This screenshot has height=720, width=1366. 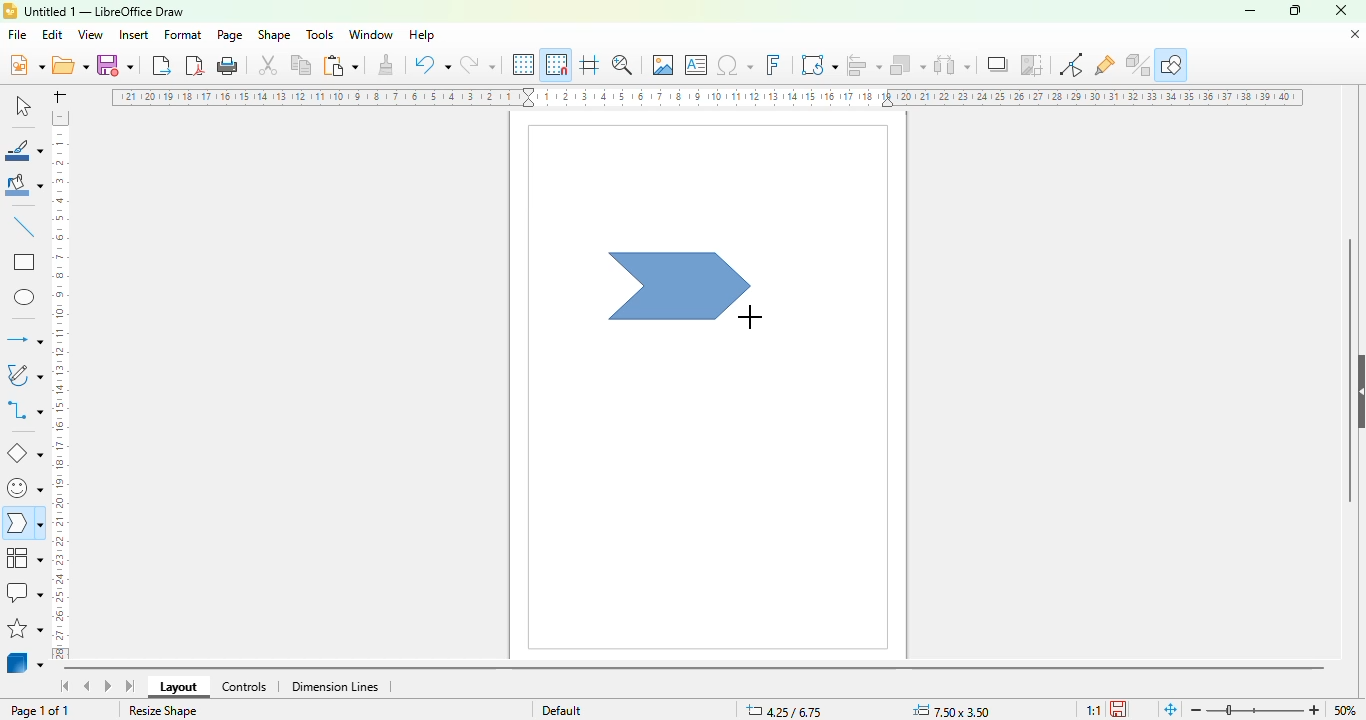 I want to click on ruler, so click(x=59, y=385).